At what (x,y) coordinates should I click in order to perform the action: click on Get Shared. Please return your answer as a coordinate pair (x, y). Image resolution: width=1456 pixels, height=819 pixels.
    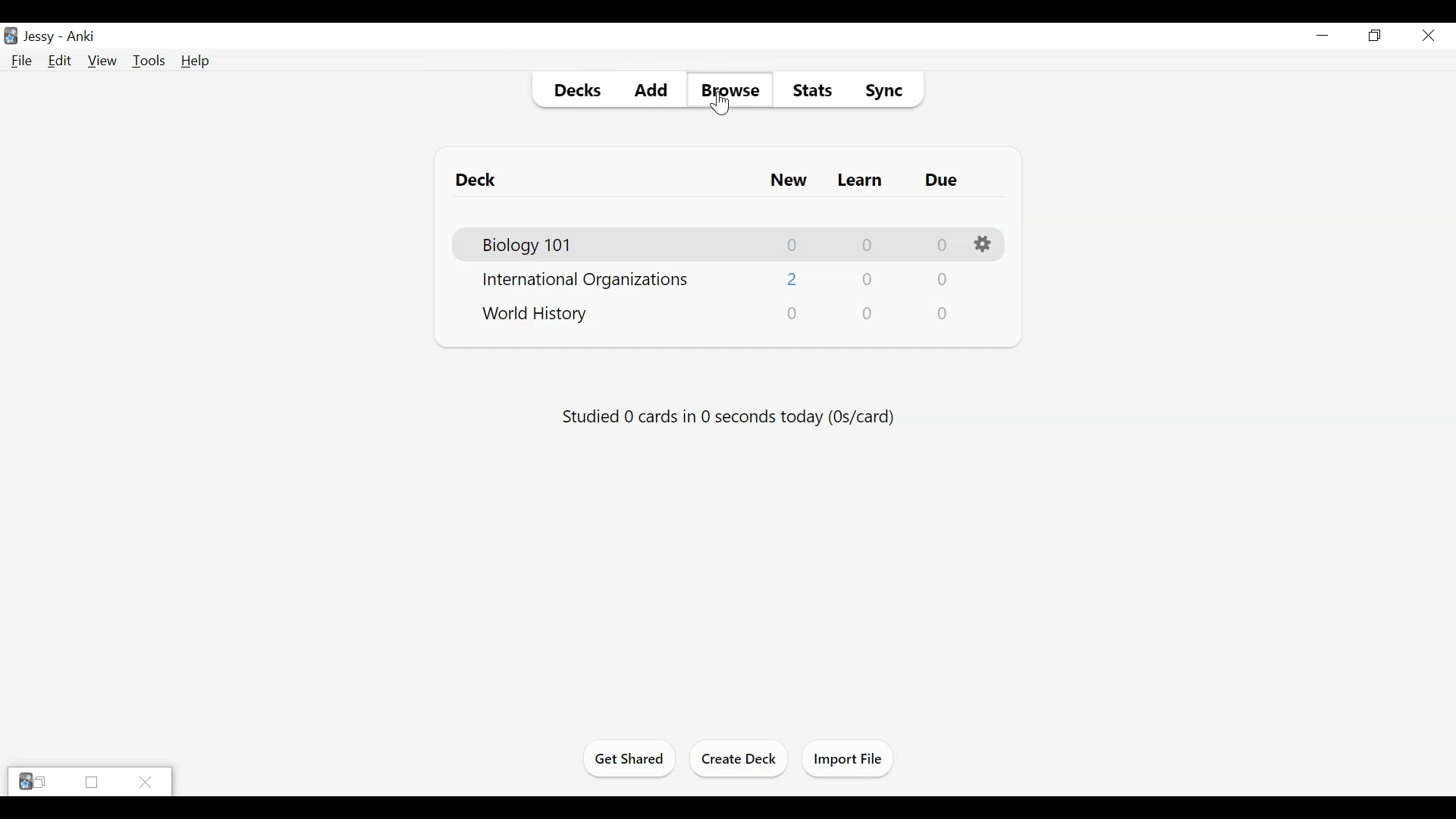
    Looking at the image, I should click on (629, 761).